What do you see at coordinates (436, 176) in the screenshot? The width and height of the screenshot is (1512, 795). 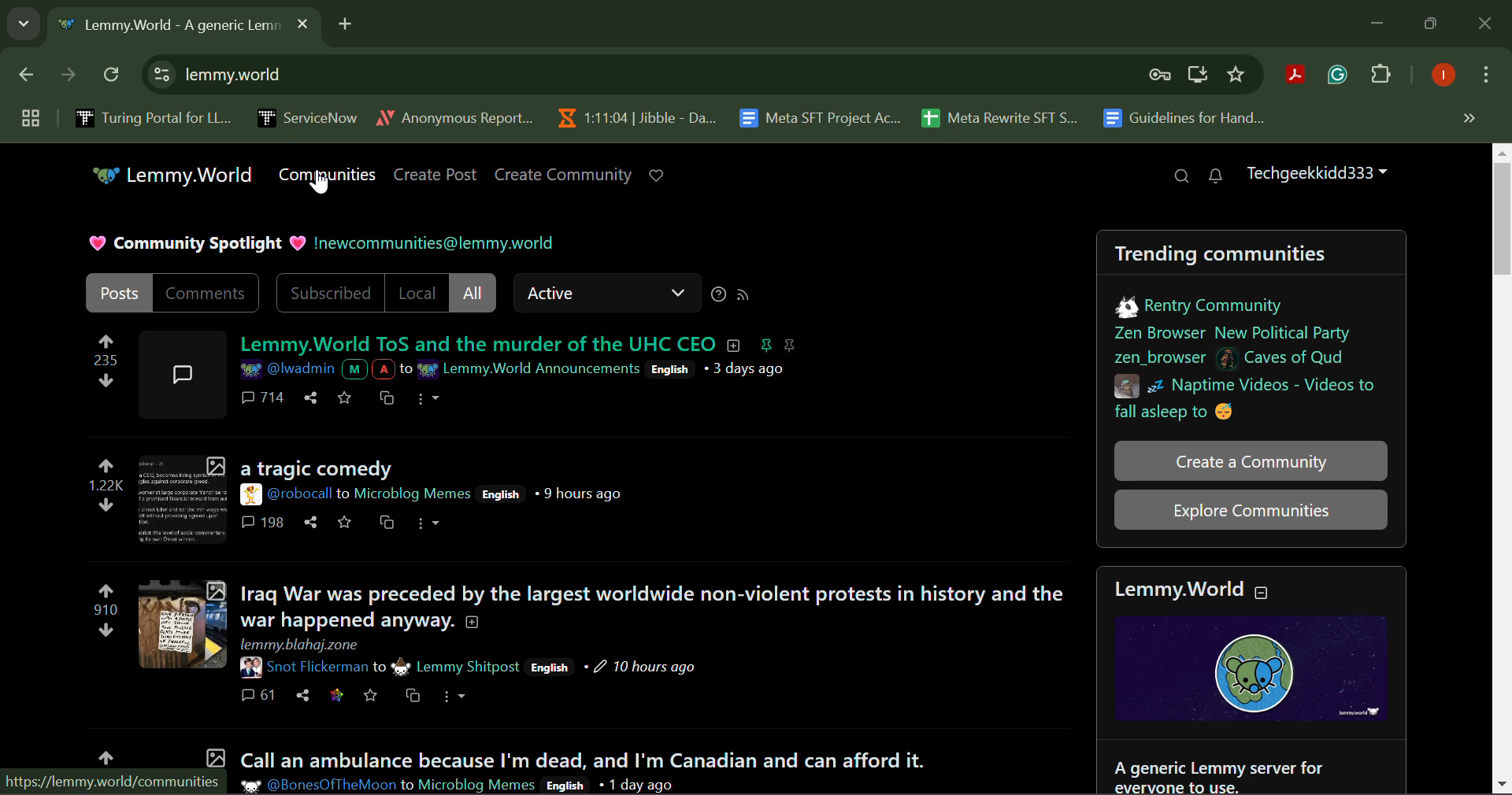 I see `Create Post` at bounding box center [436, 176].